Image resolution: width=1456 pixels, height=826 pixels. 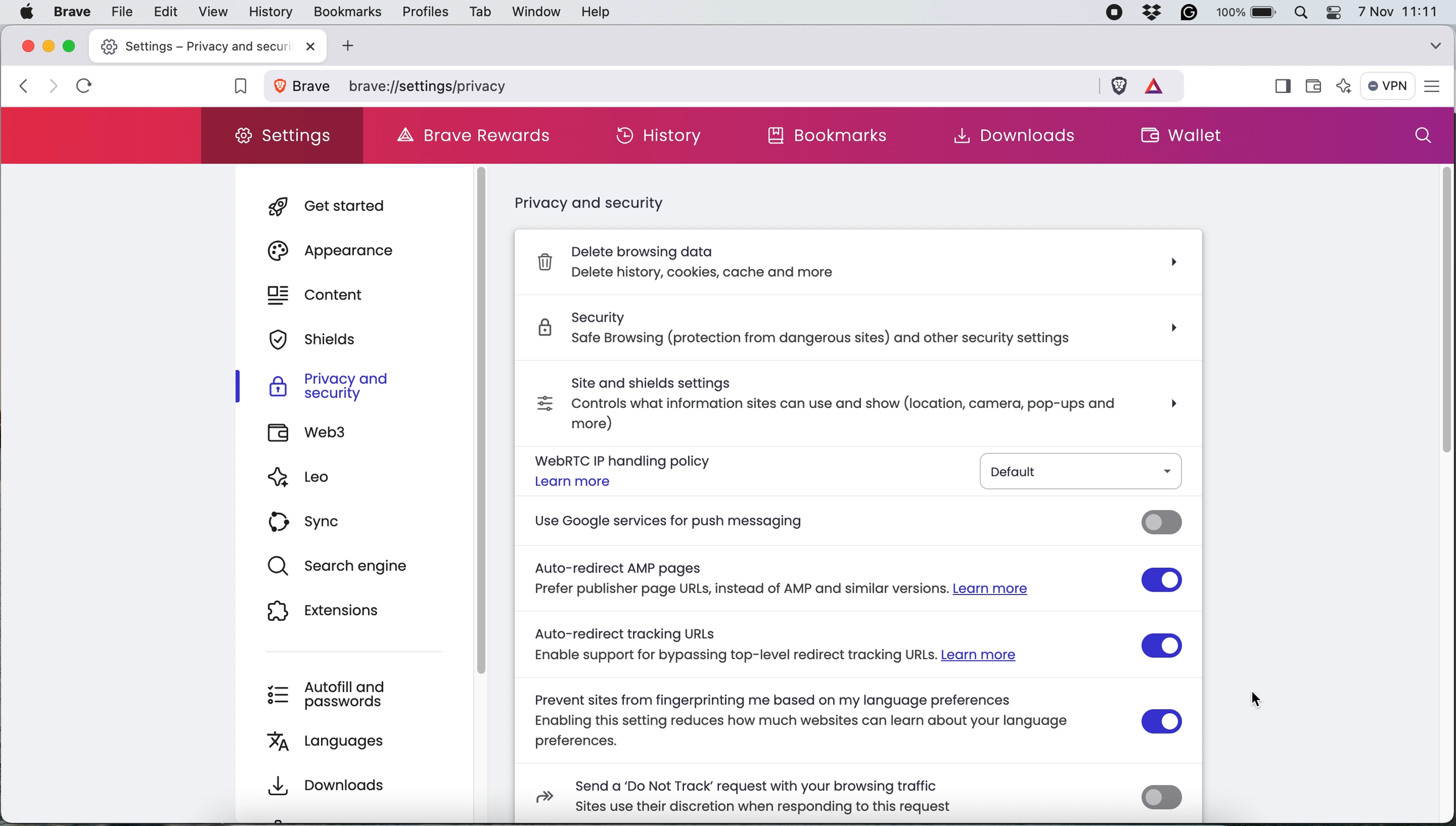 What do you see at coordinates (49, 45) in the screenshot?
I see `minimise` at bounding box center [49, 45].